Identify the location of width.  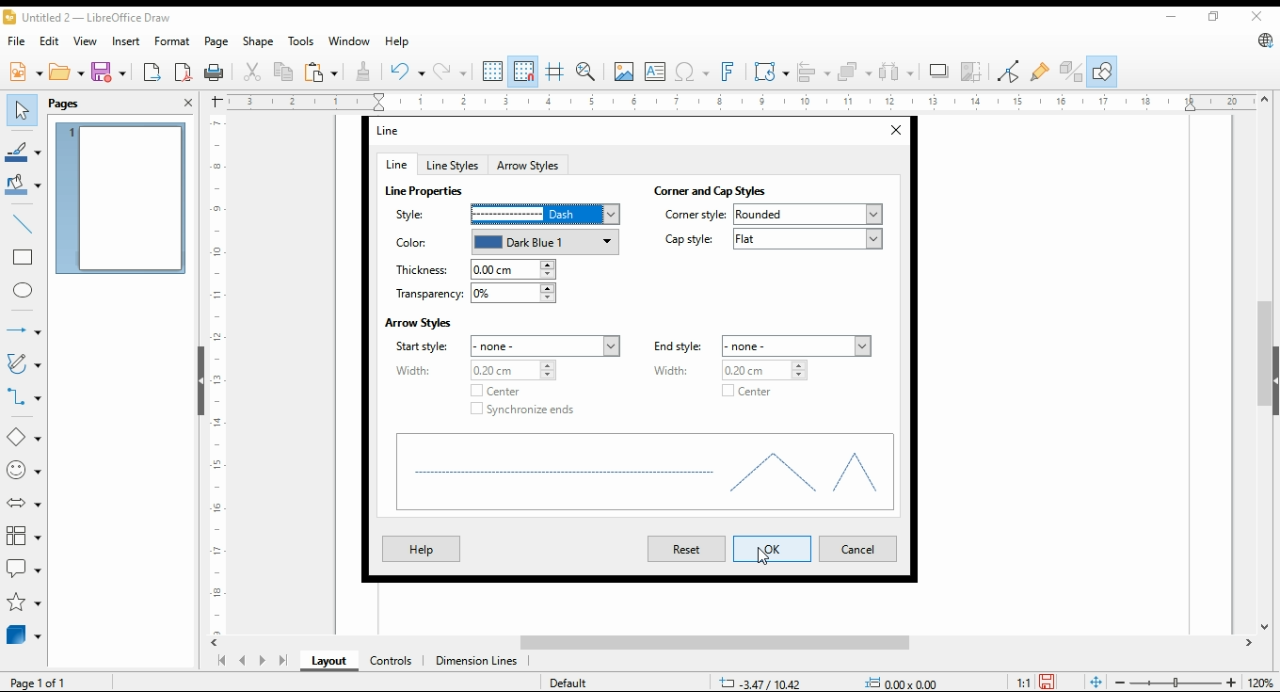
(733, 370).